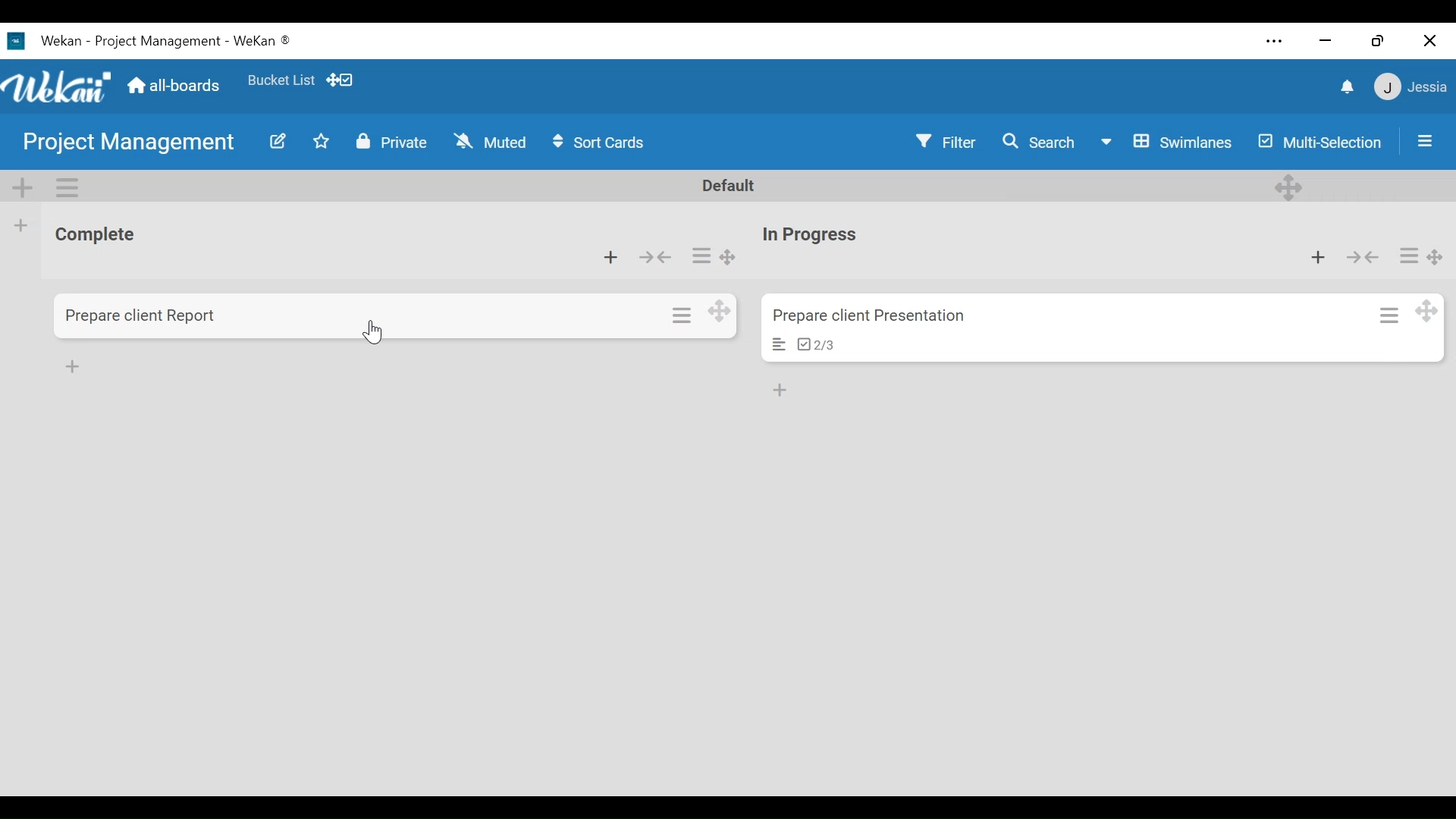 Image resolution: width=1456 pixels, height=819 pixels. I want to click on Board View, so click(1164, 143).